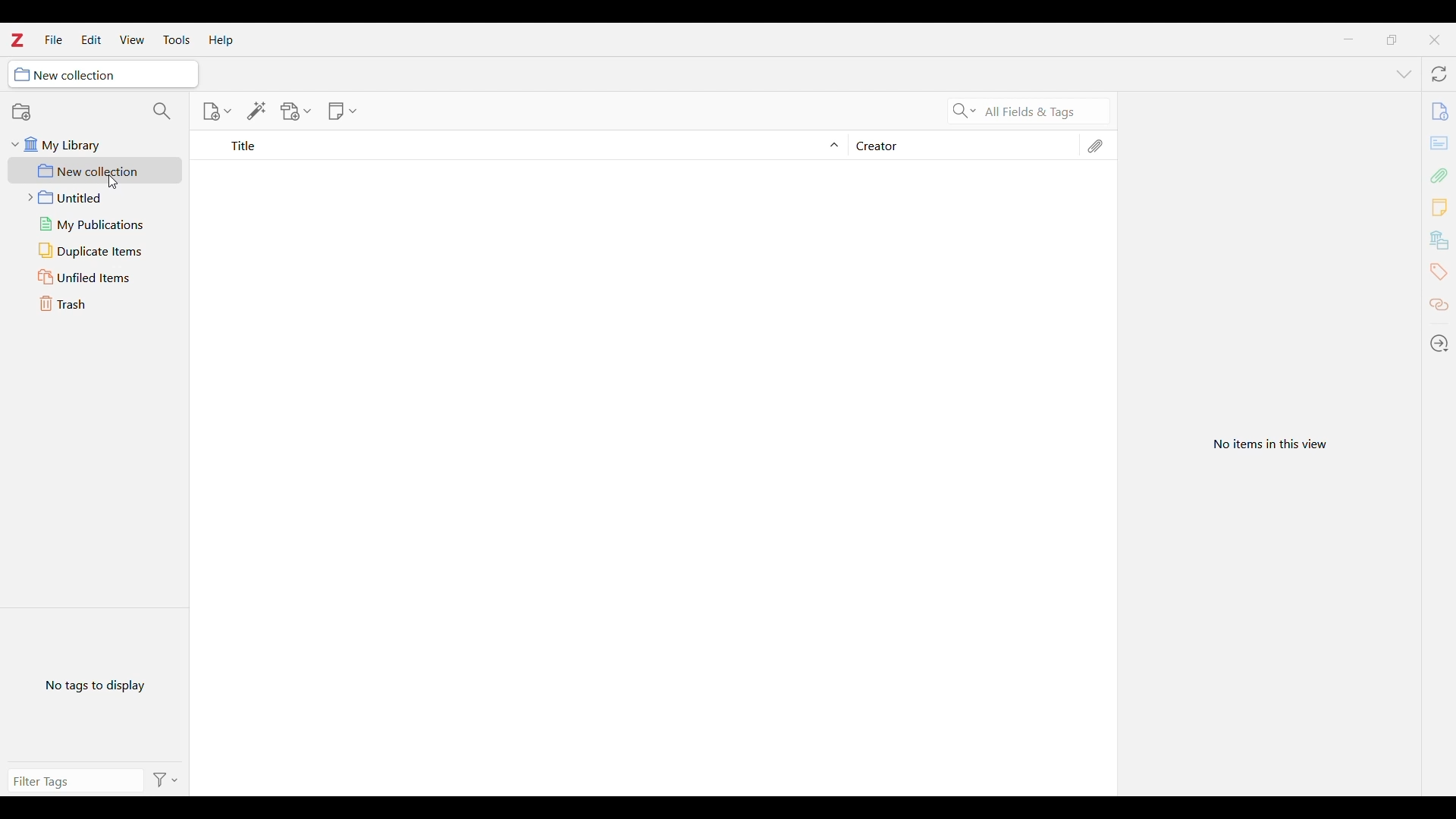 The height and width of the screenshot is (819, 1456). Describe the element at coordinates (17, 40) in the screenshot. I see `Software logo` at that location.